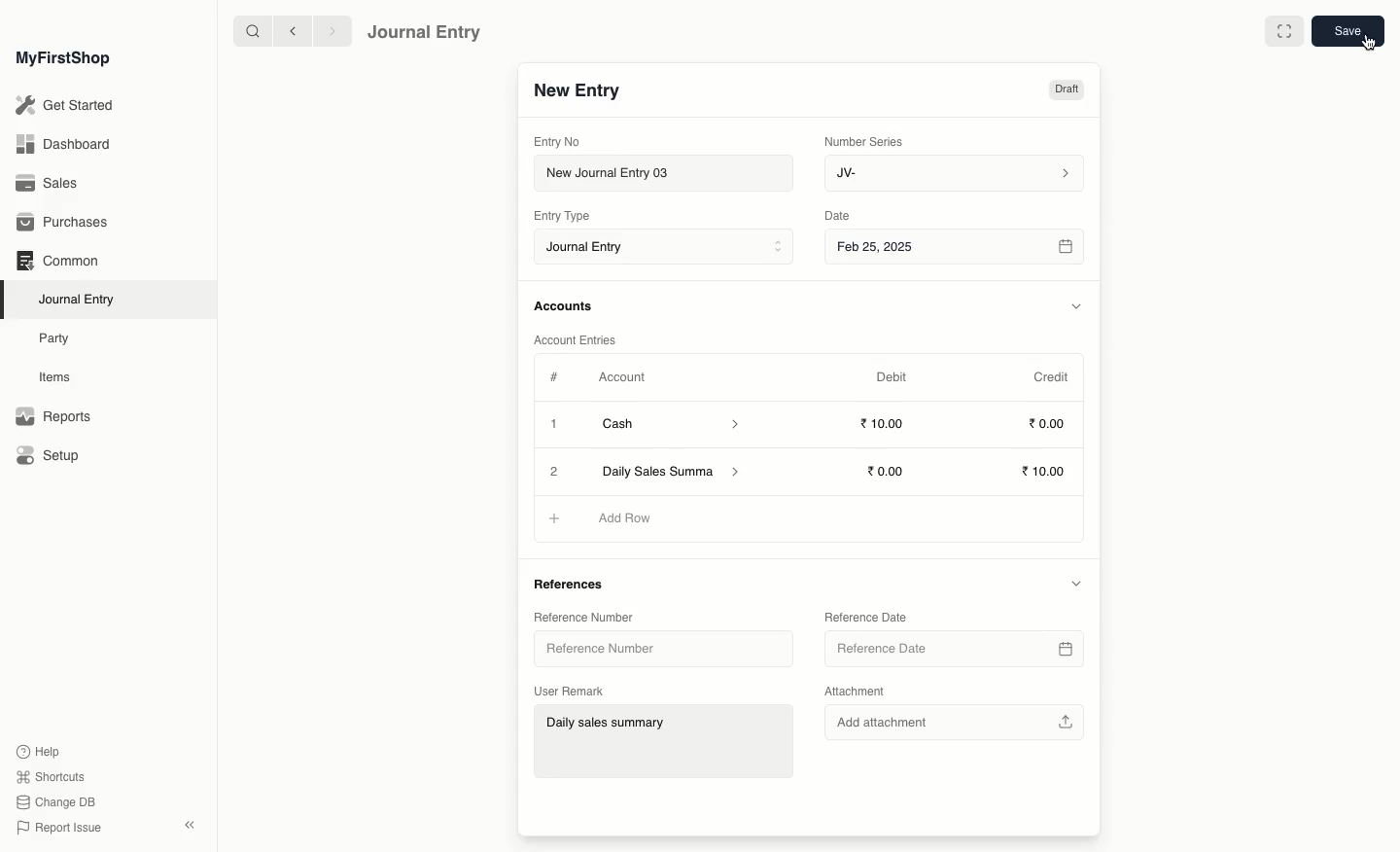 Image resolution: width=1400 pixels, height=852 pixels. Describe the element at coordinates (551, 517) in the screenshot. I see `Add` at that location.